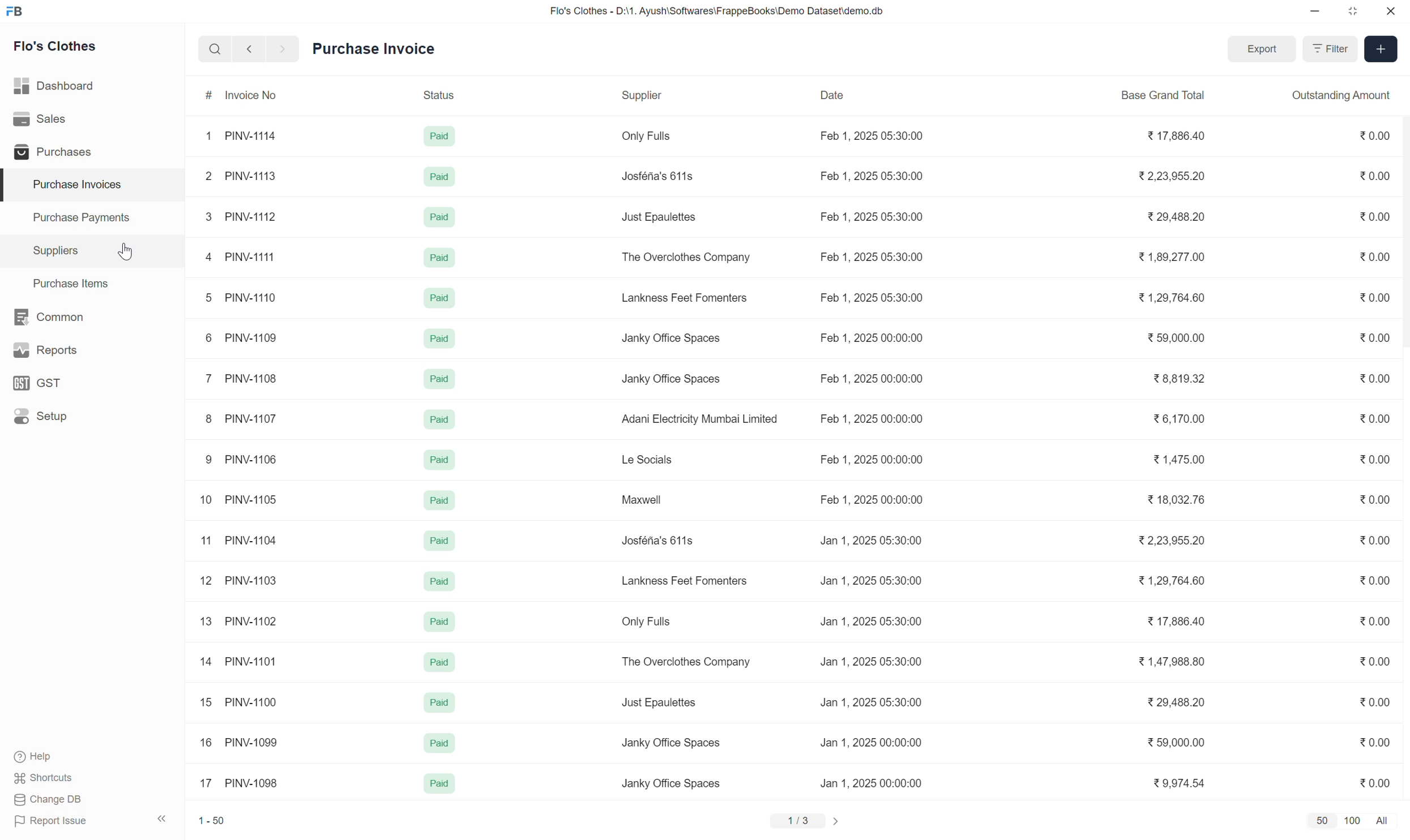  Describe the element at coordinates (672, 784) in the screenshot. I see `Janky Office Spaces` at that location.